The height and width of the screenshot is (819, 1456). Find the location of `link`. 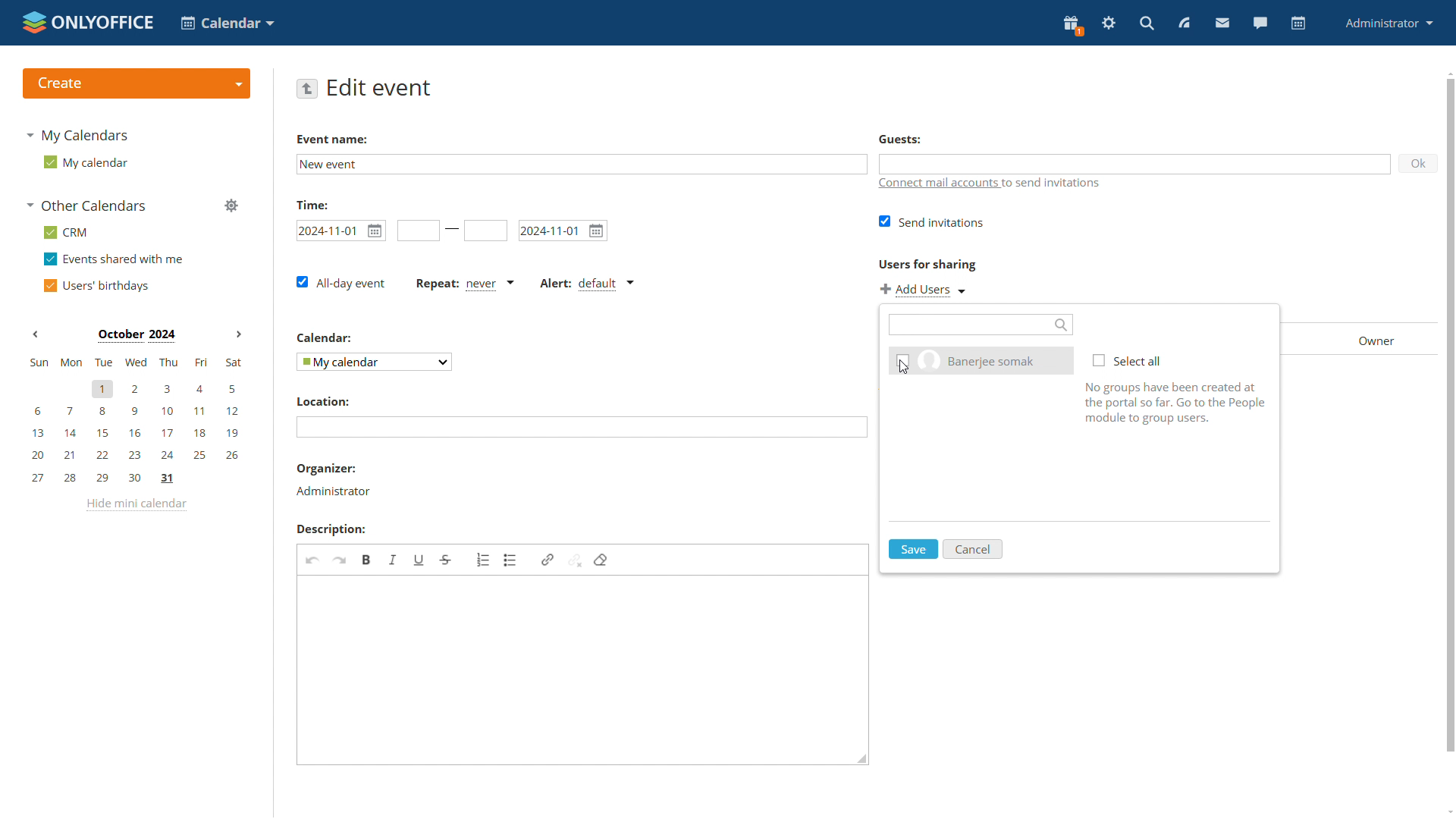

link is located at coordinates (548, 560).